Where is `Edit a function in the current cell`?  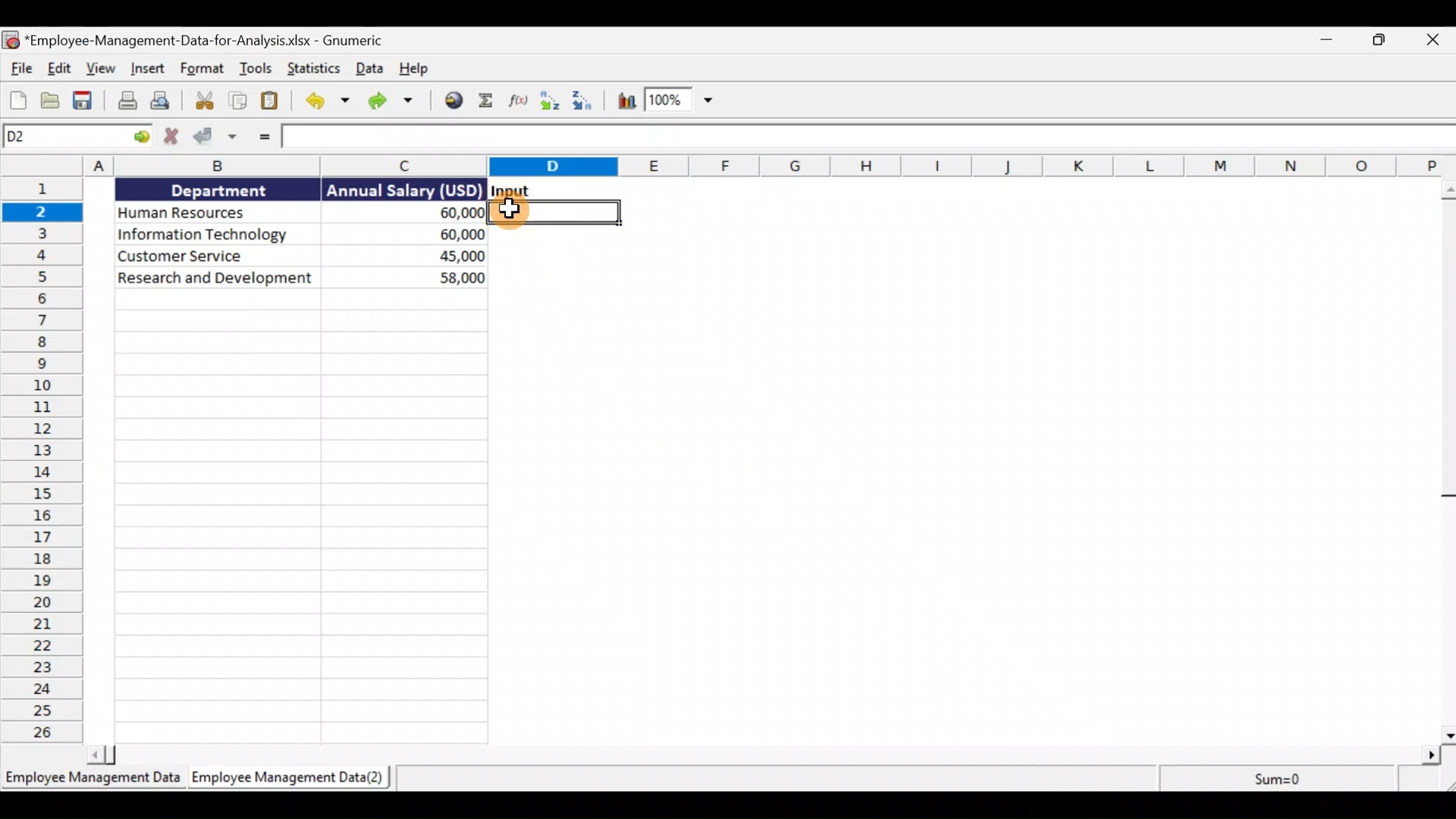 Edit a function in the current cell is located at coordinates (517, 102).